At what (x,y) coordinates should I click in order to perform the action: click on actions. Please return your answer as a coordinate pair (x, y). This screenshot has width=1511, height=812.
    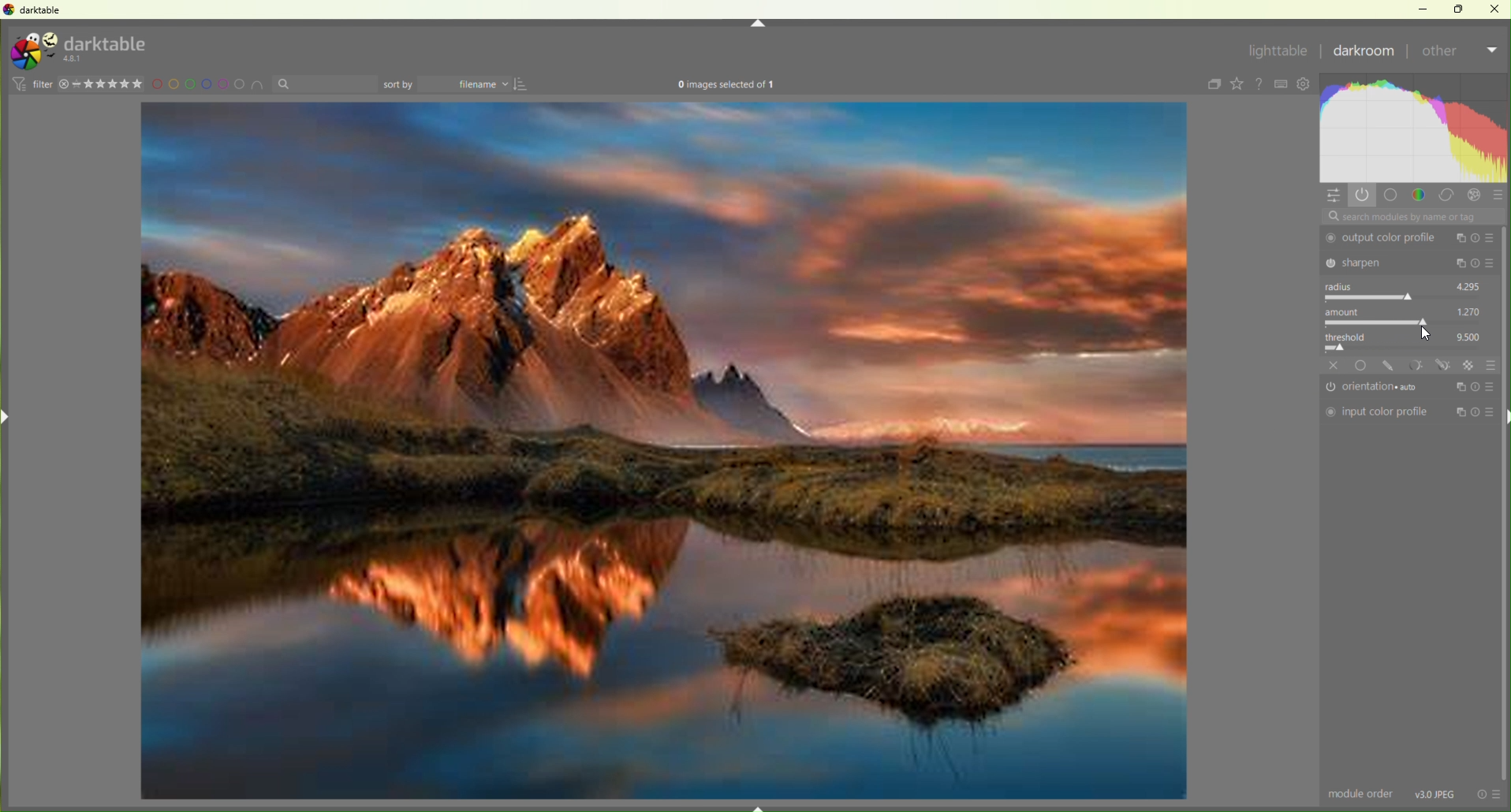
    Looking at the image, I should click on (1489, 794).